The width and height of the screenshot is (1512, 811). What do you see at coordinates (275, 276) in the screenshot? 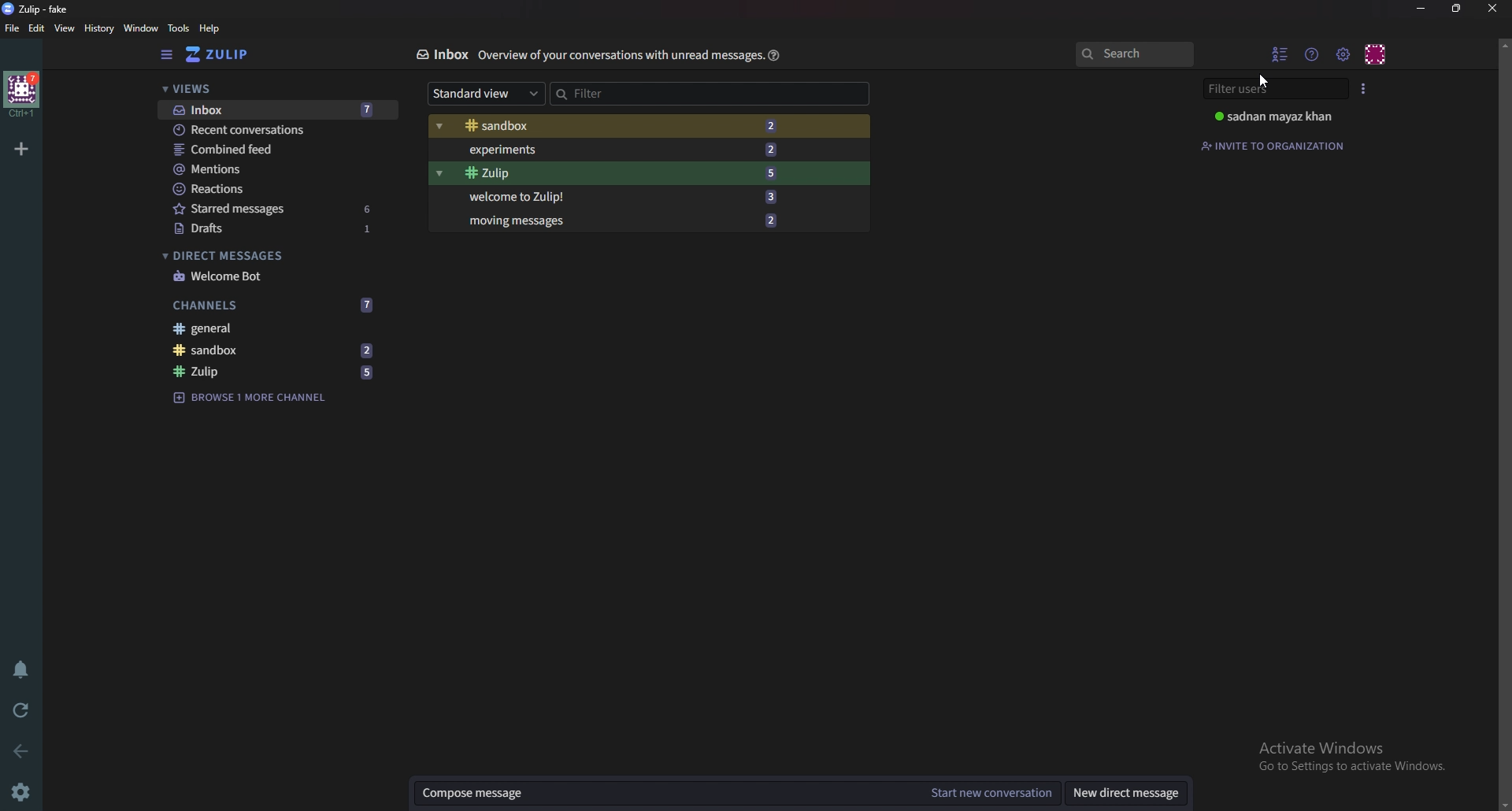
I see `Welcome bot` at bounding box center [275, 276].